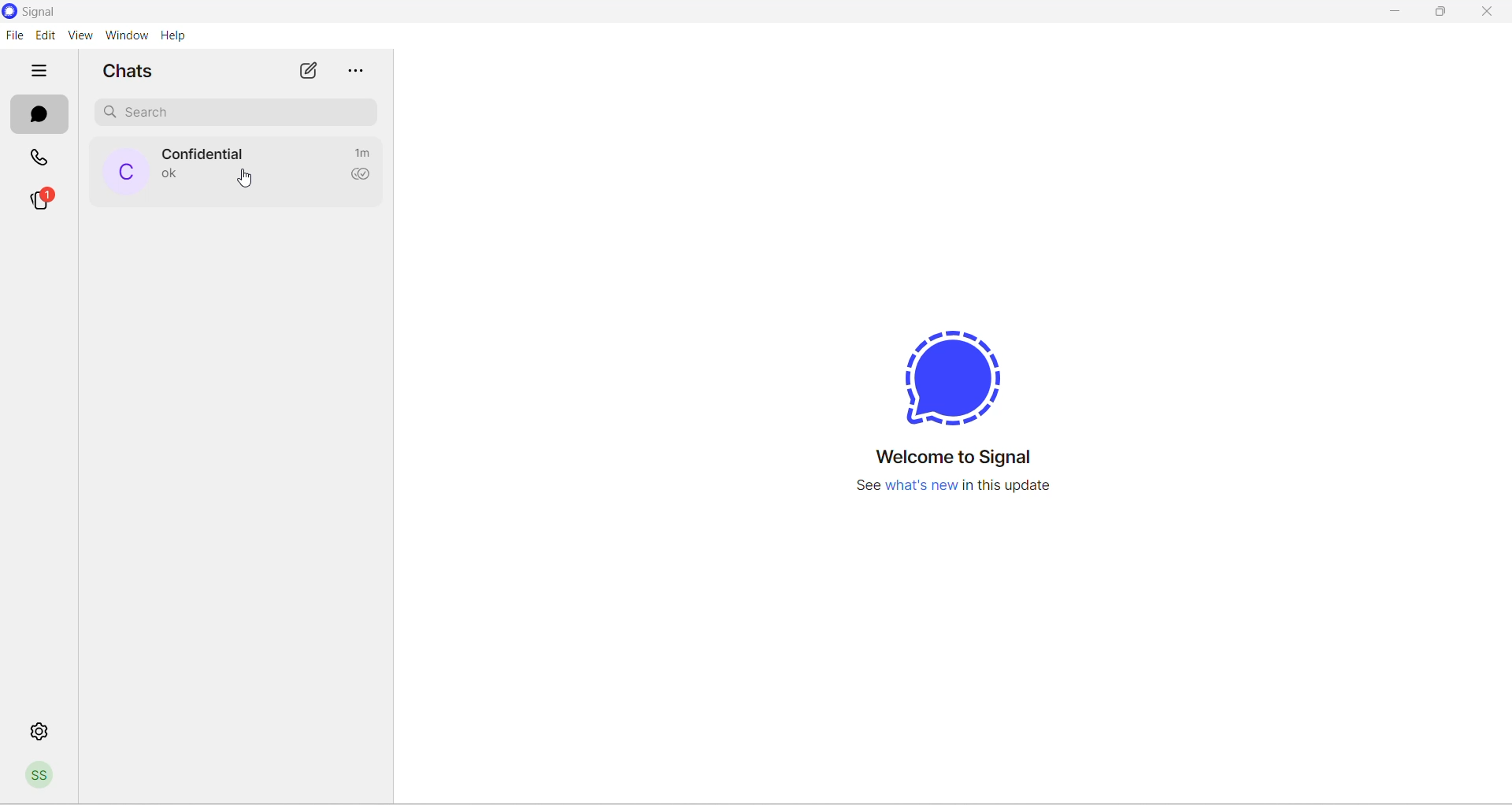 This screenshot has height=805, width=1512. Describe the element at coordinates (41, 730) in the screenshot. I see `settings` at that location.